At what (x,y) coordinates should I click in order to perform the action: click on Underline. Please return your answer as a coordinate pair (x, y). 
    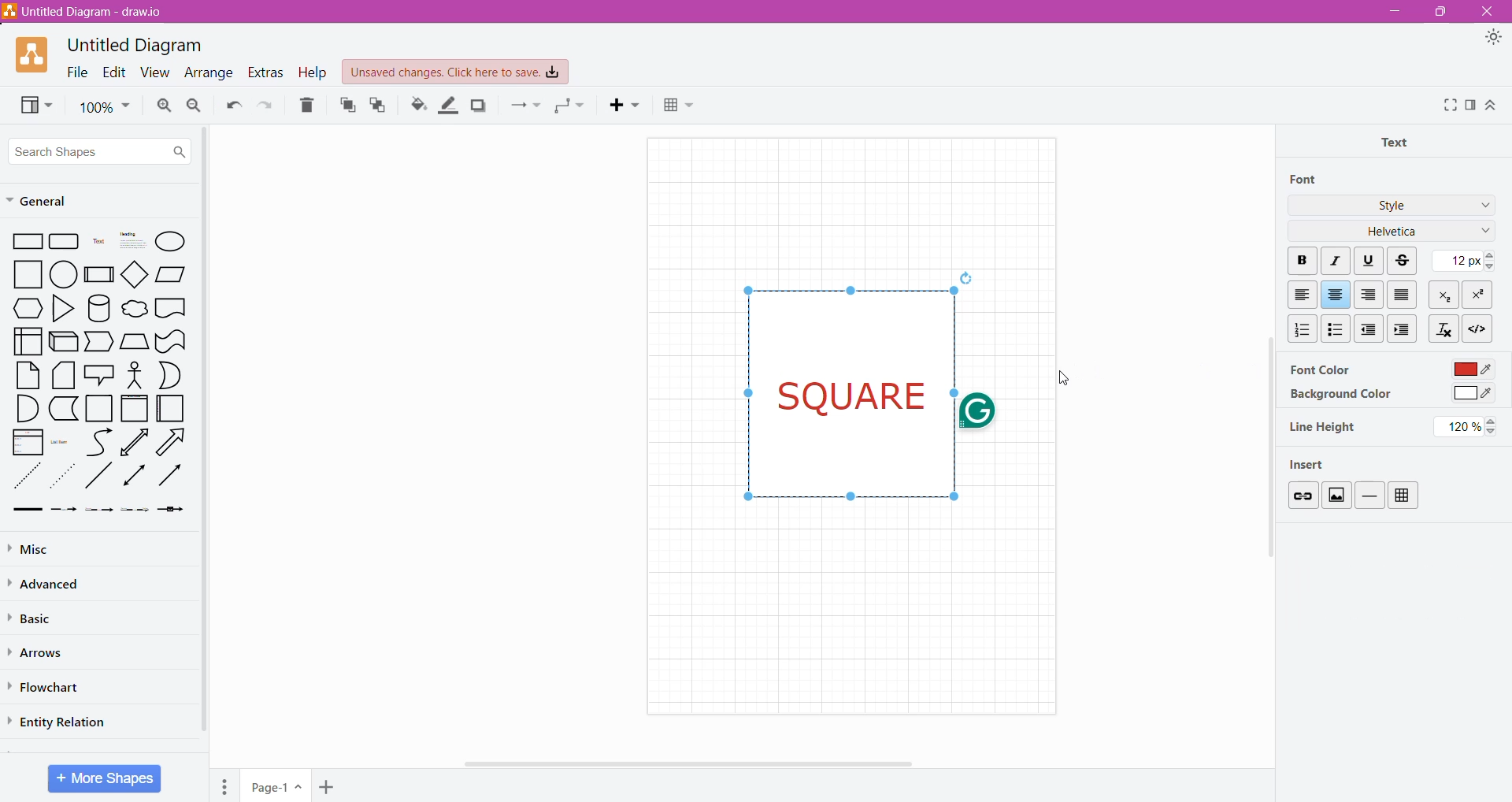
    Looking at the image, I should click on (1369, 259).